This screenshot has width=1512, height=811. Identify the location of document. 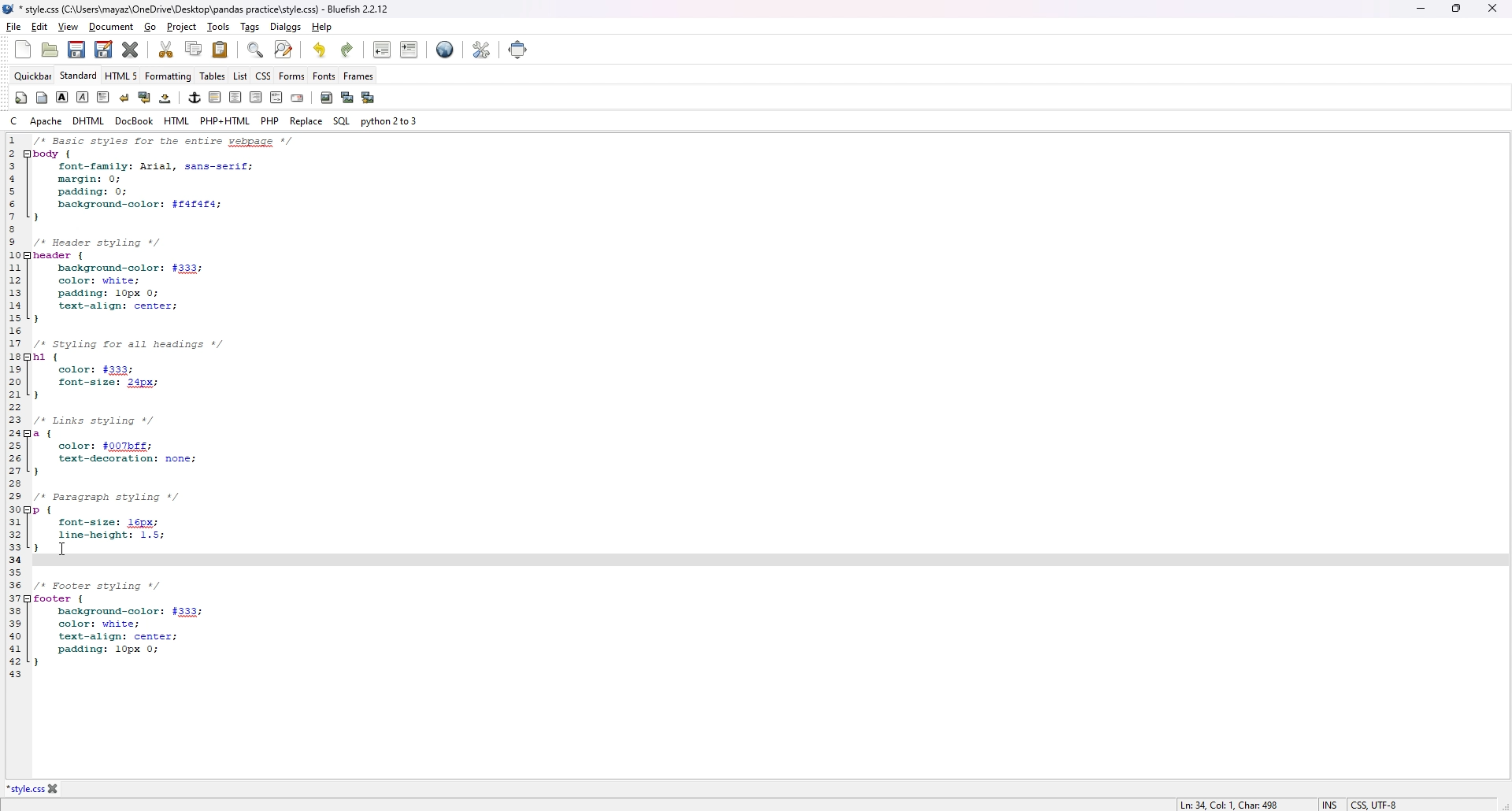
(112, 27).